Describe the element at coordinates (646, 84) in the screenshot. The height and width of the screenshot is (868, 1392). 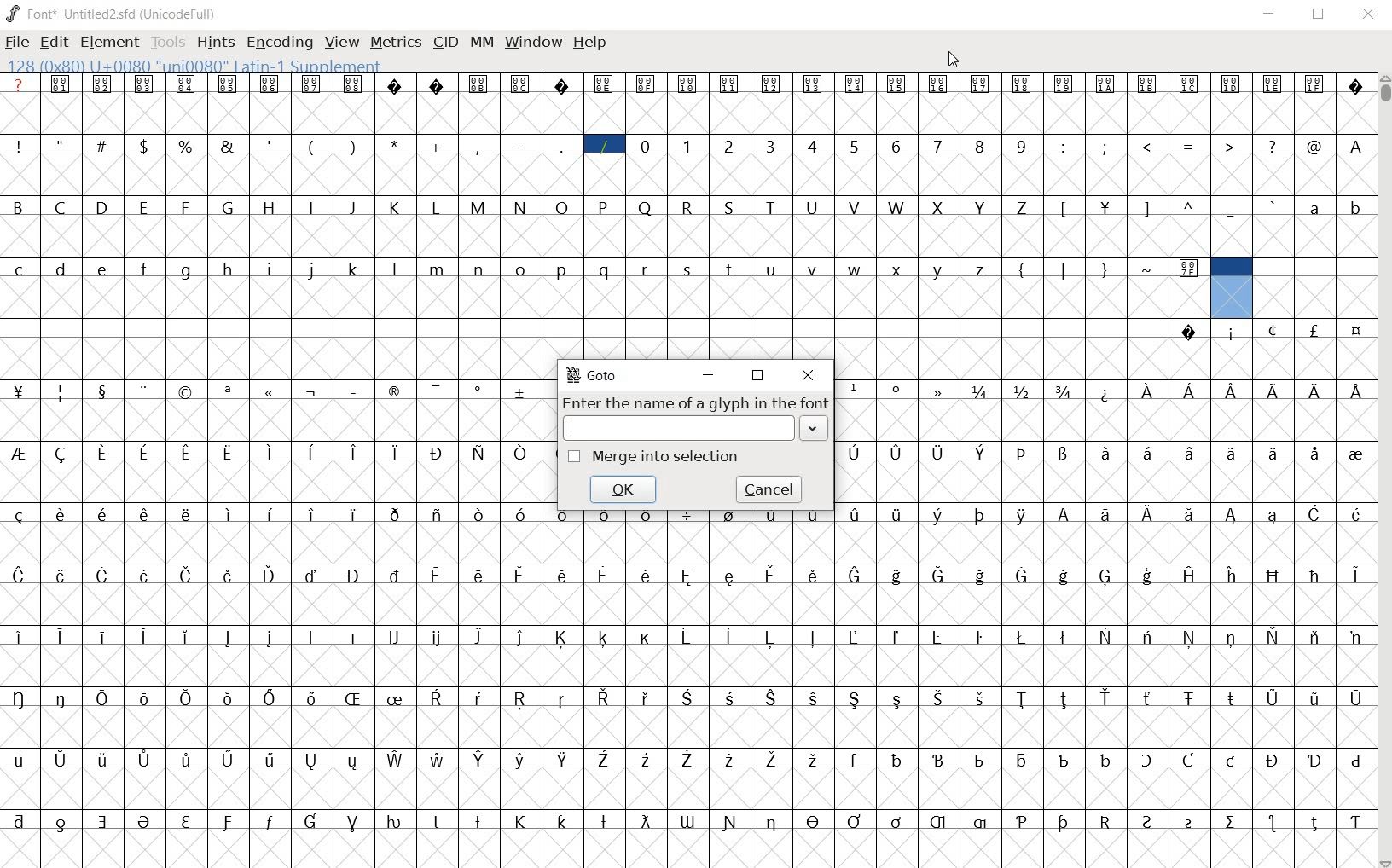
I see `Symbol` at that location.